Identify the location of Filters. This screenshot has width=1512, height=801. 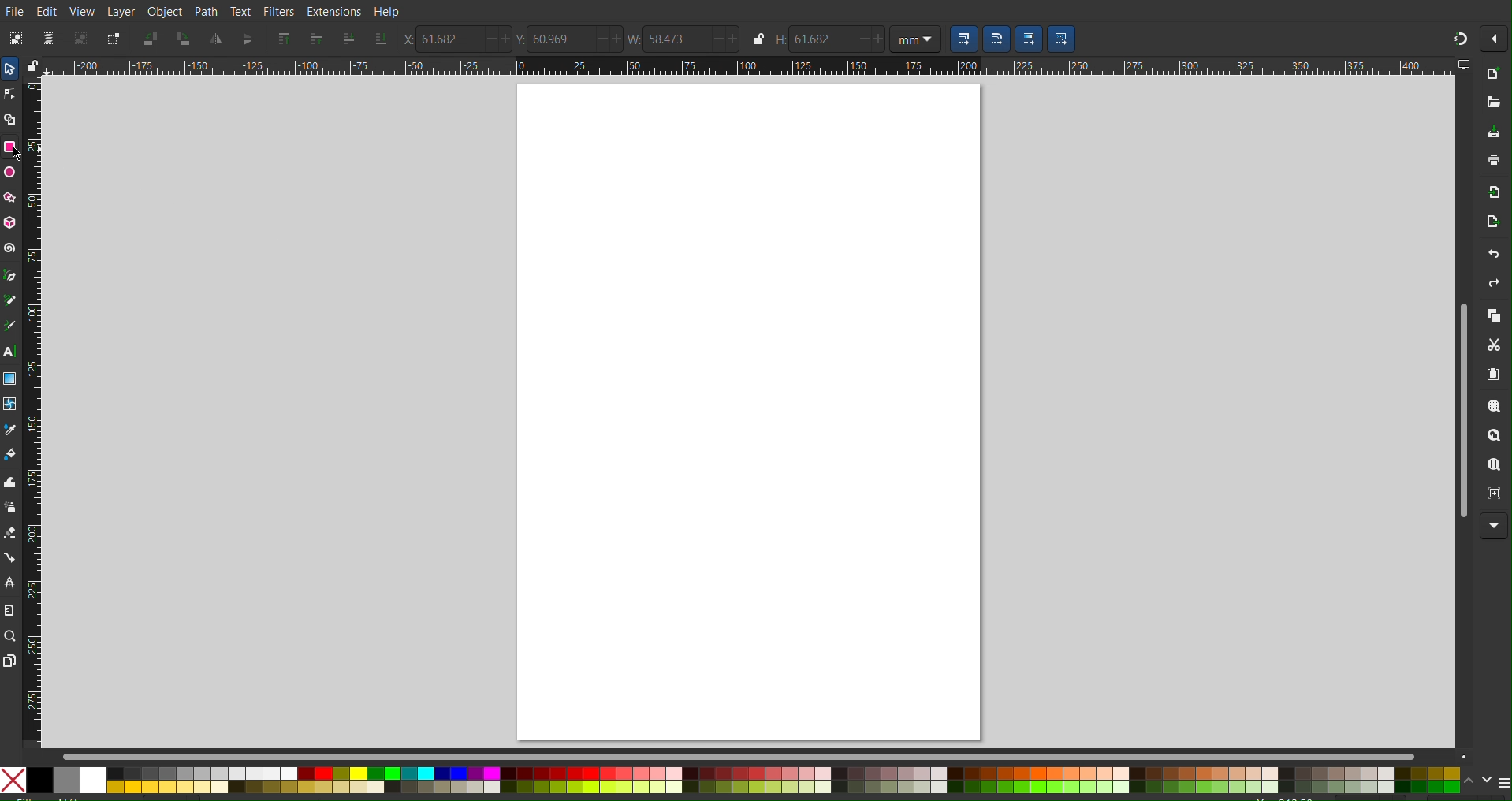
(278, 13).